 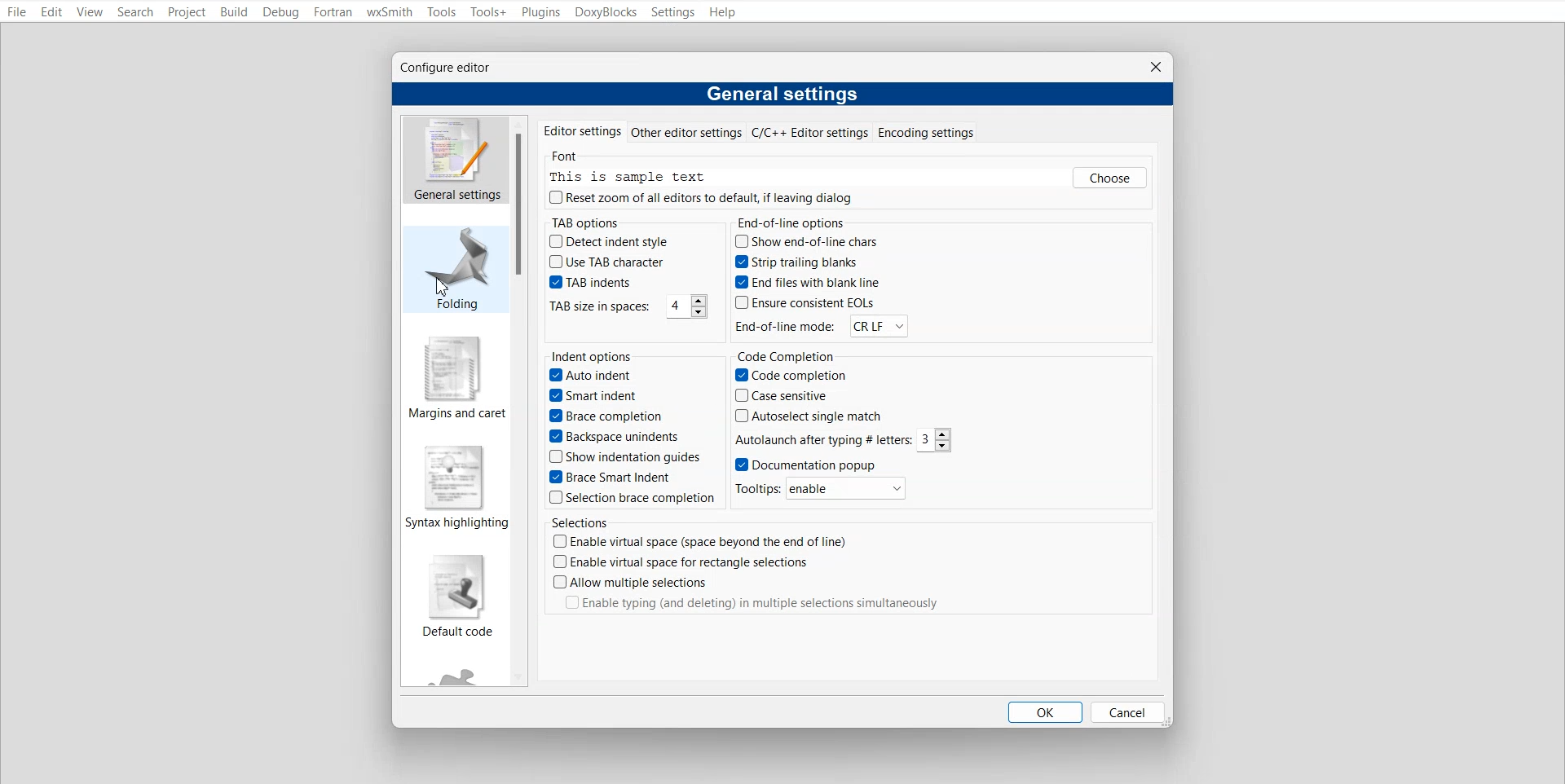 What do you see at coordinates (332, 11) in the screenshot?
I see `Fortran` at bounding box center [332, 11].